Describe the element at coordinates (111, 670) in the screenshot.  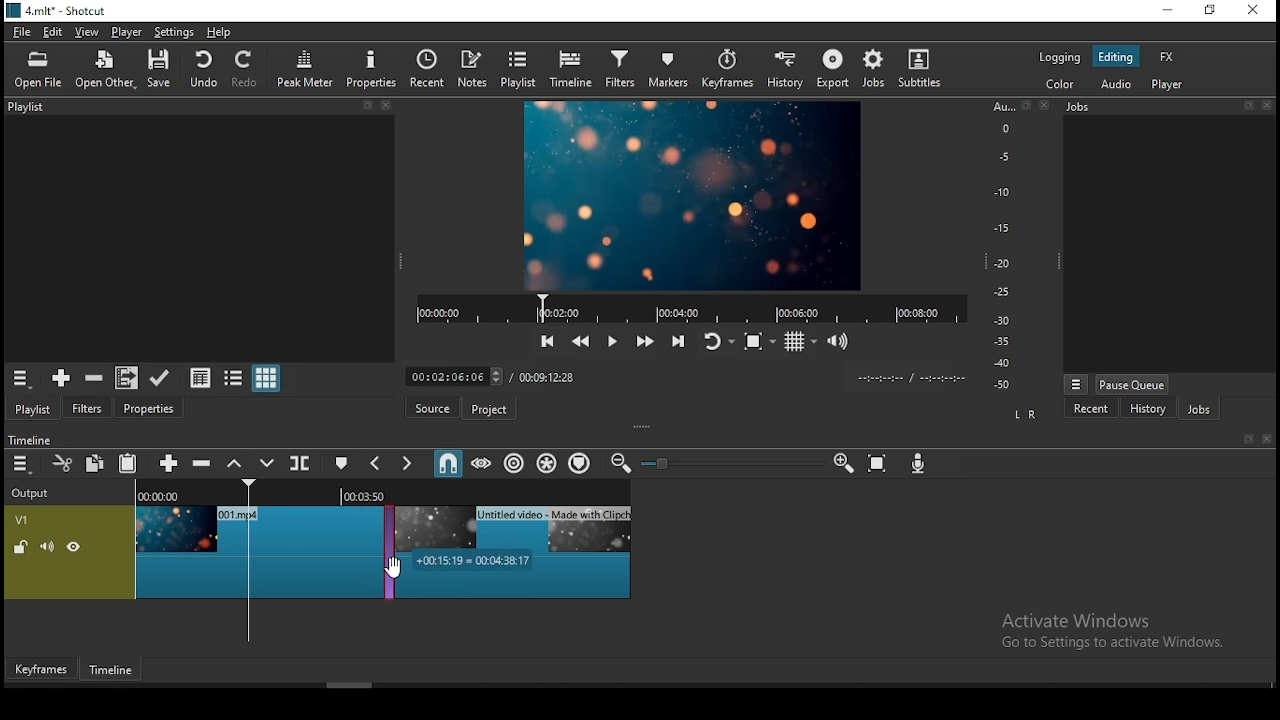
I see `timeline` at that location.